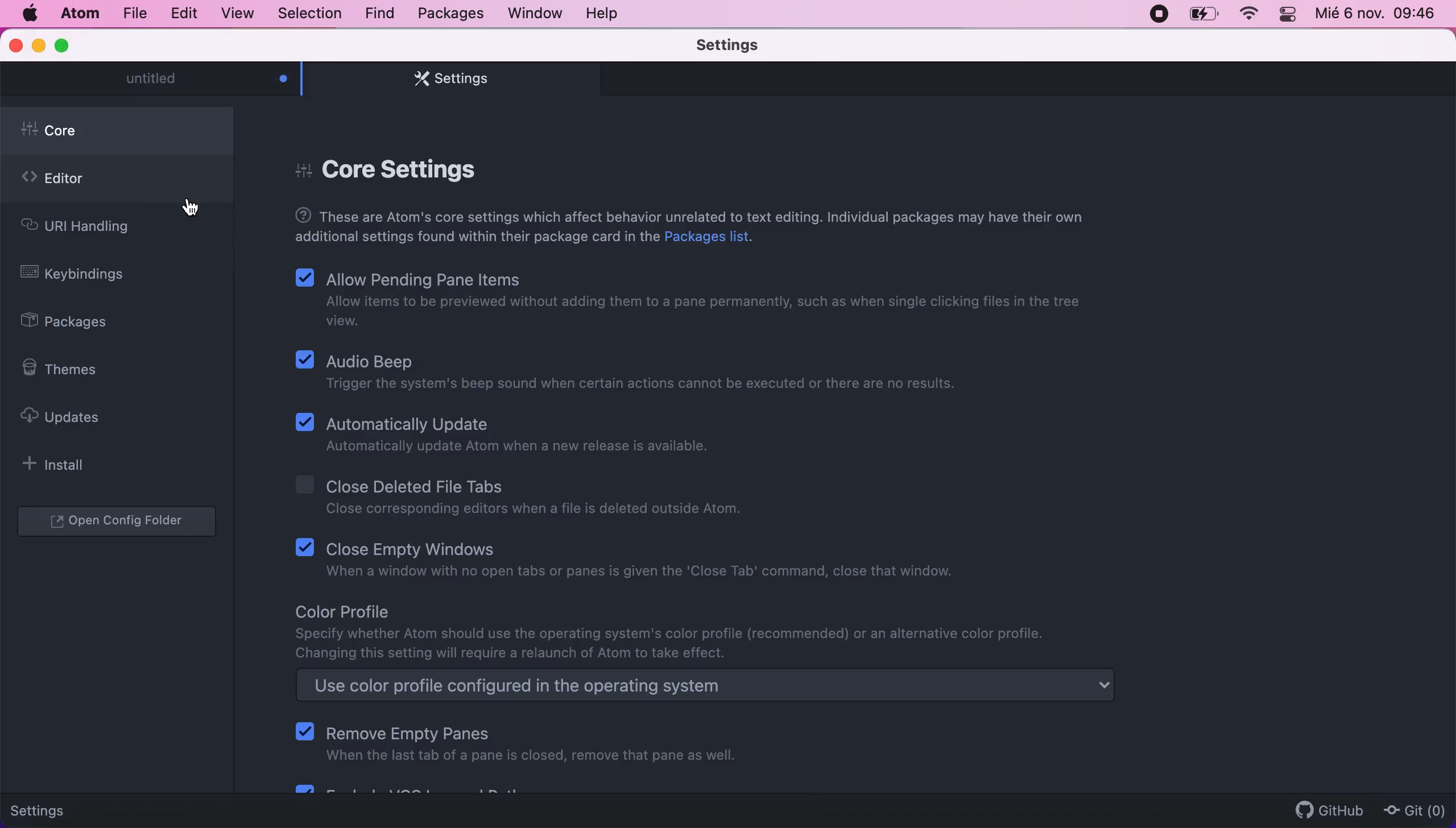  Describe the element at coordinates (1379, 15) in the screenshot. I see `Mié 6 nov. 09:46` at that location.